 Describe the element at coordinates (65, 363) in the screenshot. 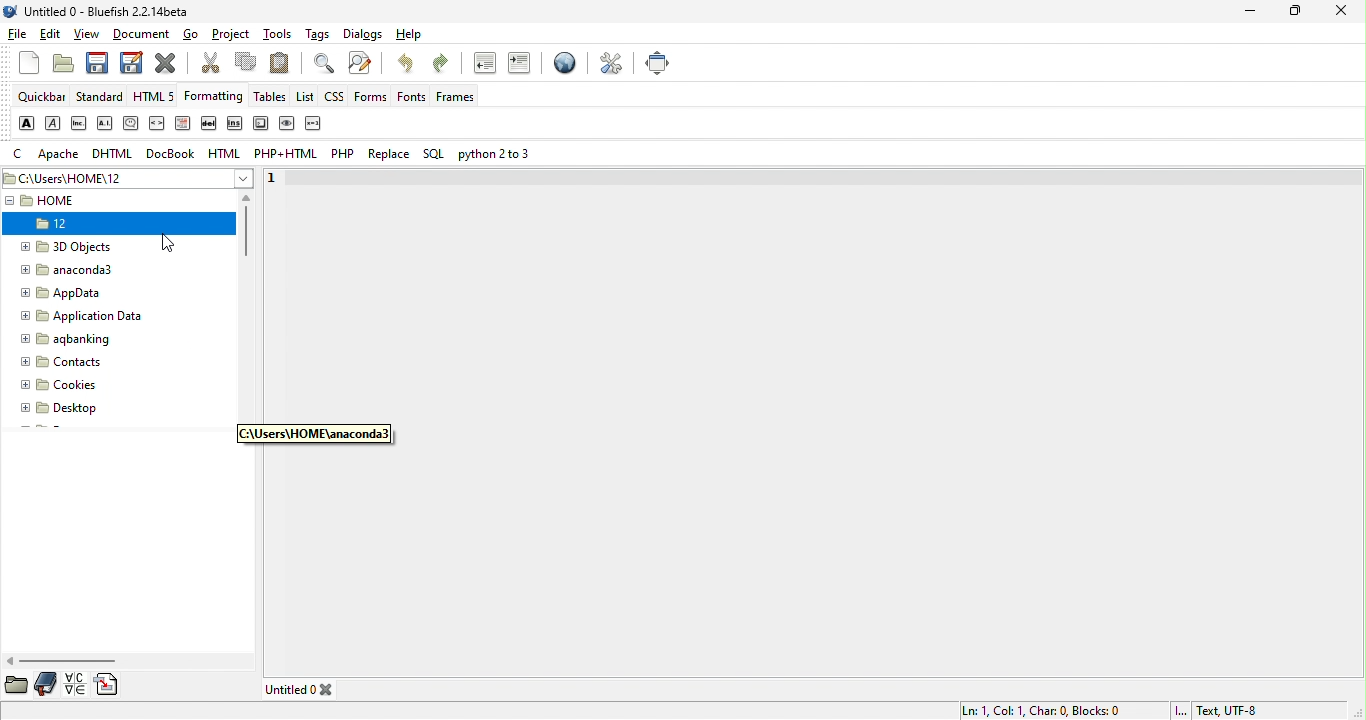

I see `contacts` at that location.